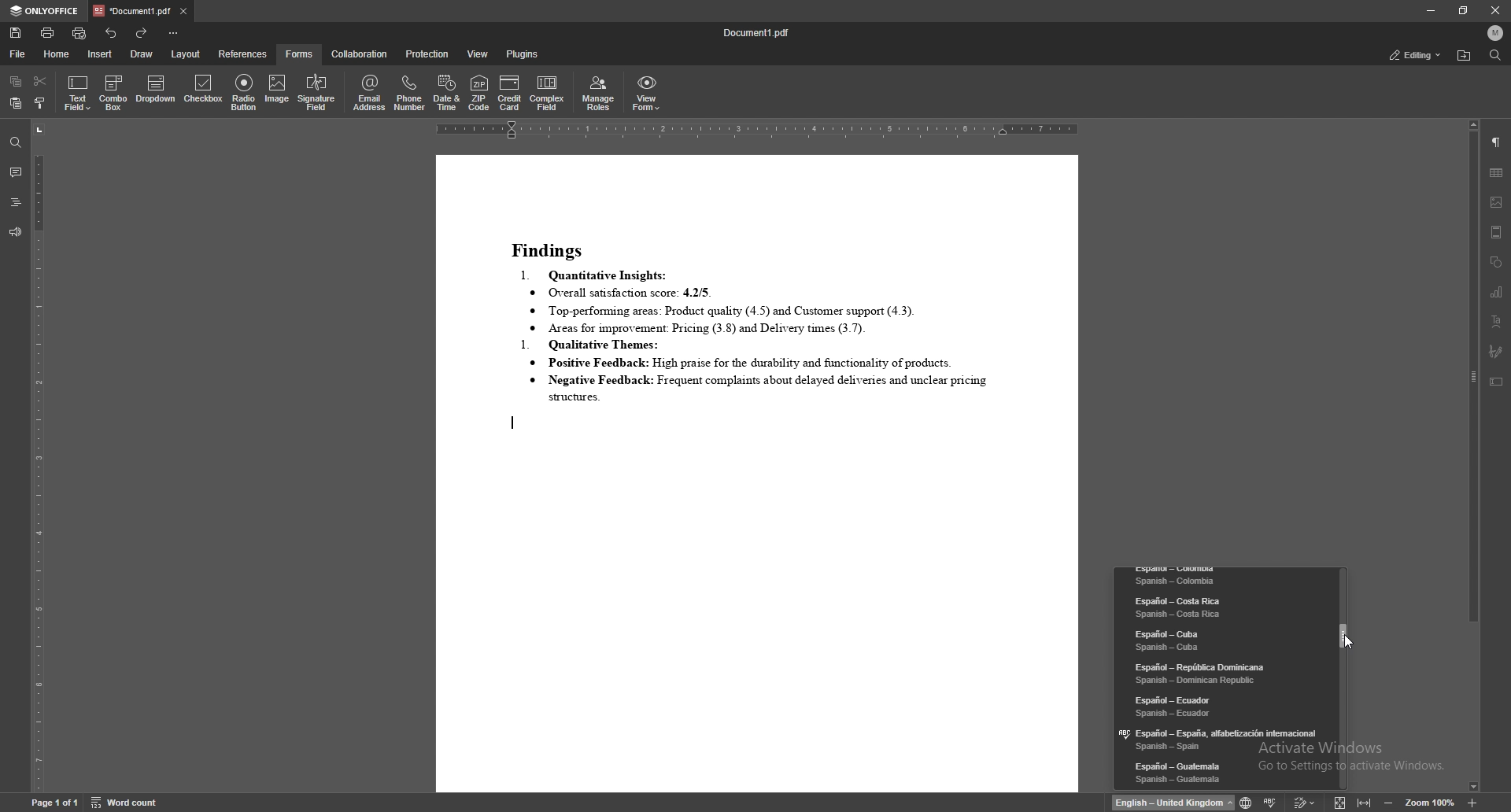 The height and width of the screenshot is (812, 1511). What do you see at coordinates (277, 94) in the screenshot?
I see `image` at bounding box center [277, 94].